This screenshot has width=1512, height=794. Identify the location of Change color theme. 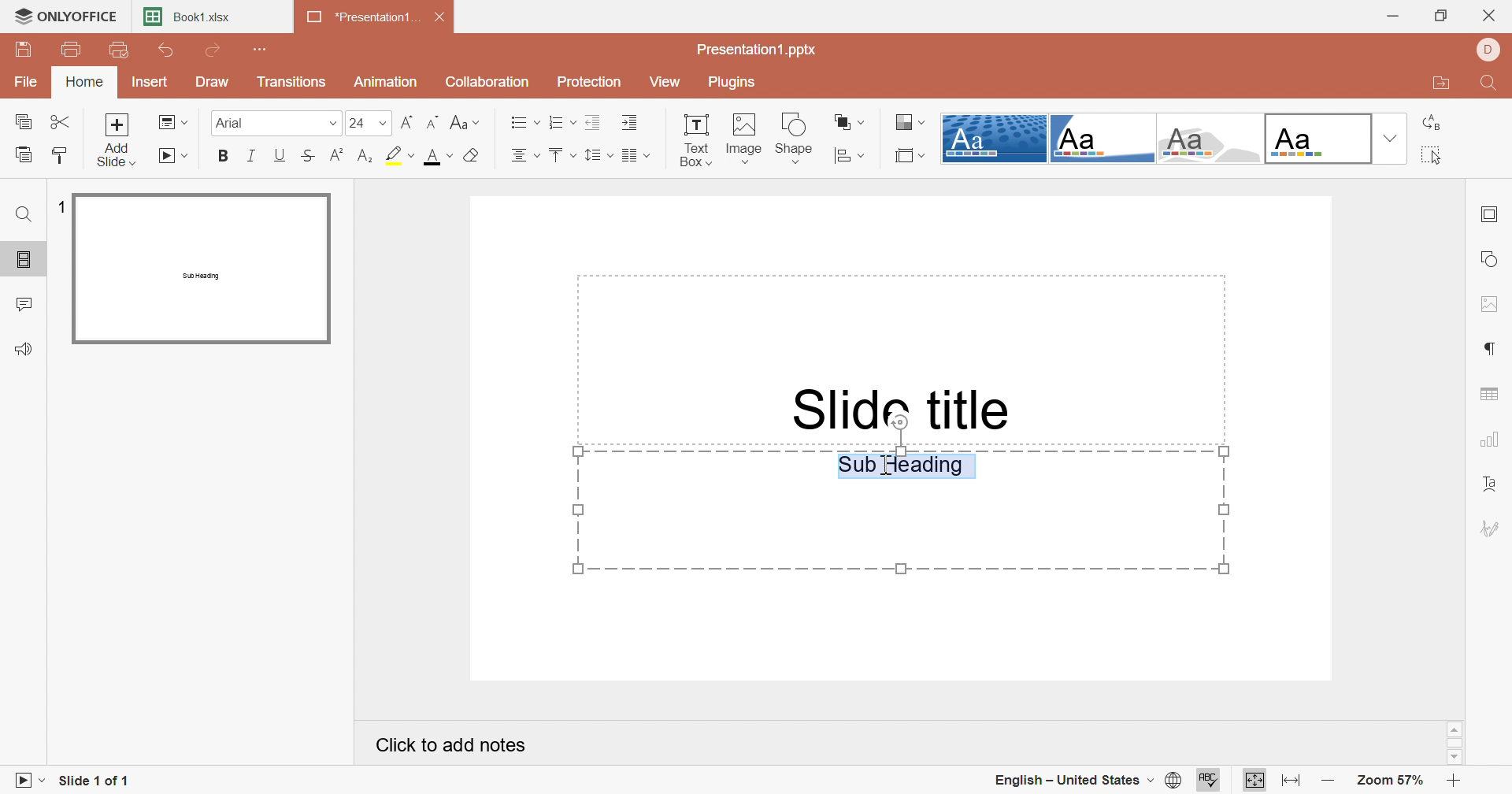
(910, 121).